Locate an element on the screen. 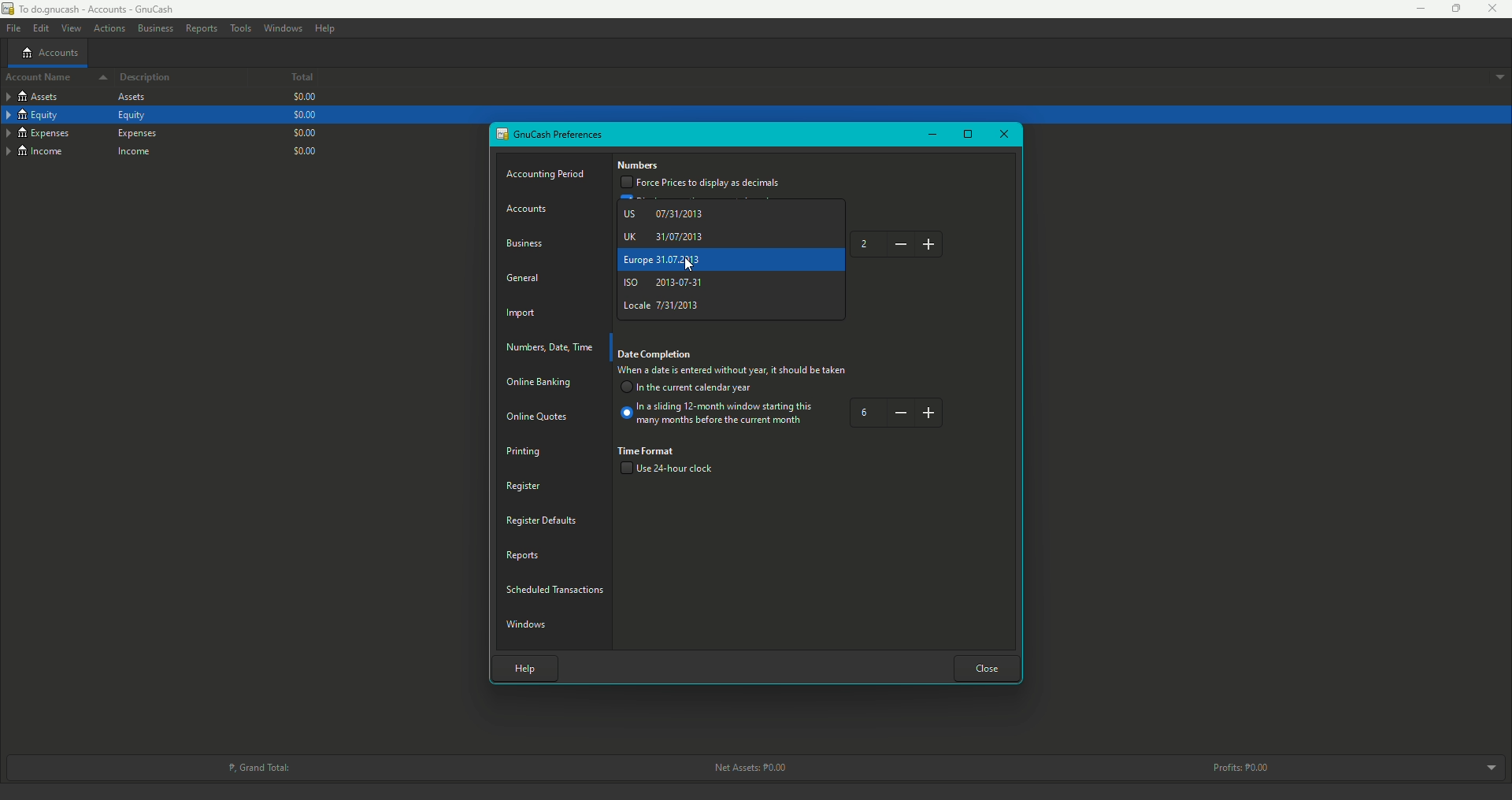  Europe Date is located at coordinates (665, 260).